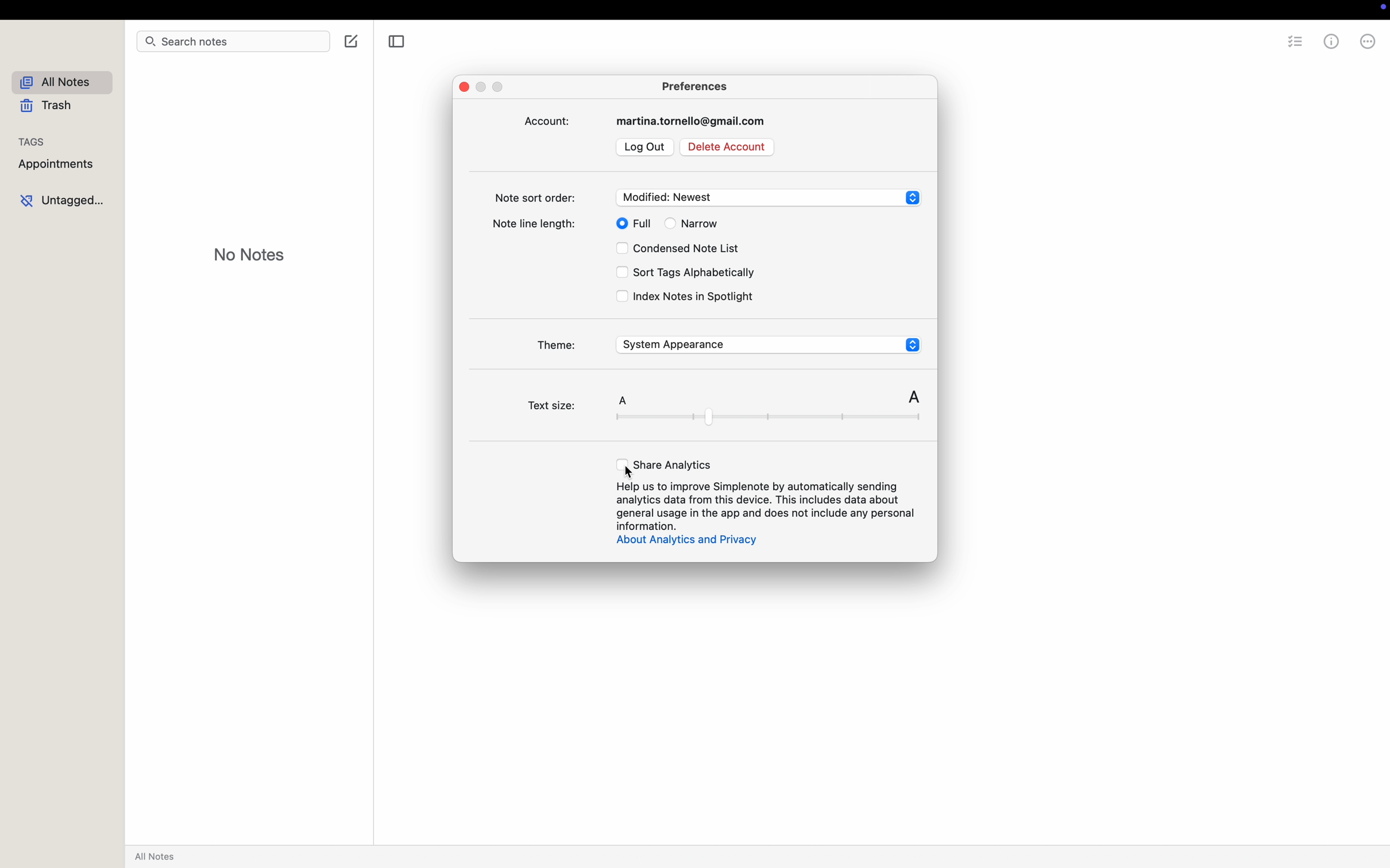 Image resolution: width=1390 pixels, height=868 pixels. Describe the element at coordinates (536, 225) in the screenshot. I see `note line length` at that location.